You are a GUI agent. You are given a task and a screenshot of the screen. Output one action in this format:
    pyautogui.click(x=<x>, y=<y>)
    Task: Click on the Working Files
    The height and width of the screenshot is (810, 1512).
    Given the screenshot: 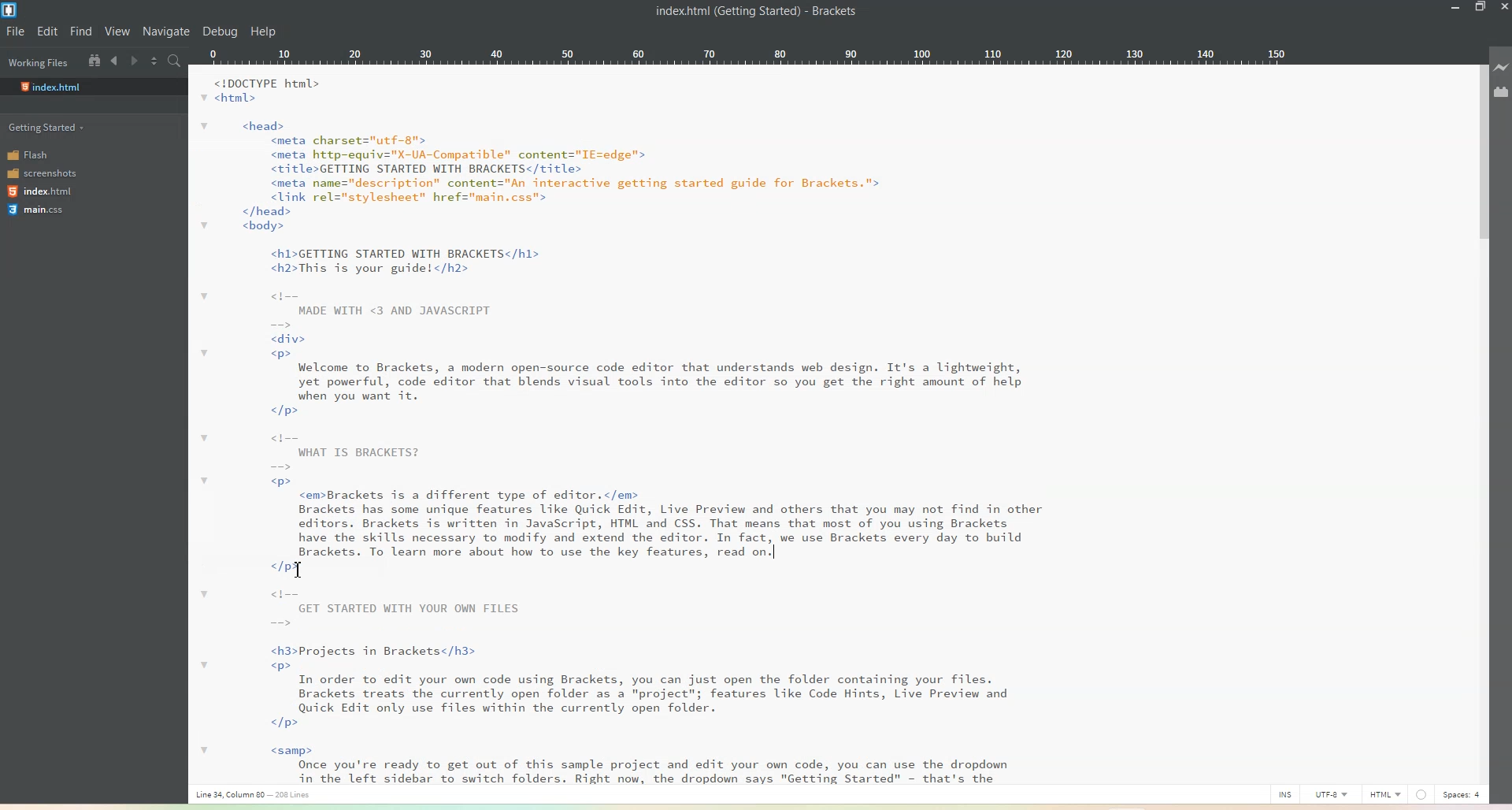 What is the action you would take?
    pyautogui.click(x=41, y=63)
    